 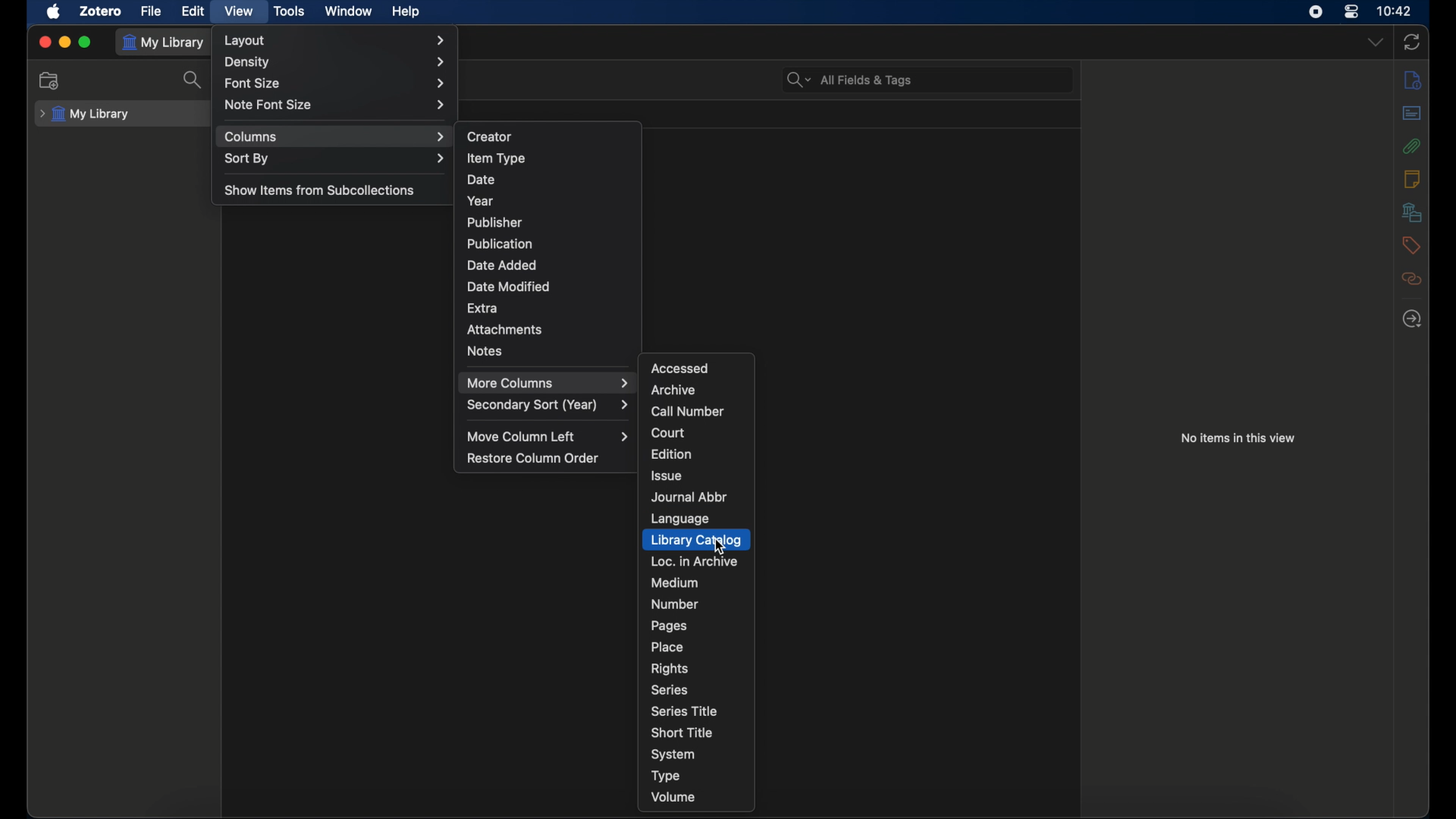 What do you see at coordinates (1412, 113) in the screenshot?
I see `abstract` at bounding box center [1412, 113].